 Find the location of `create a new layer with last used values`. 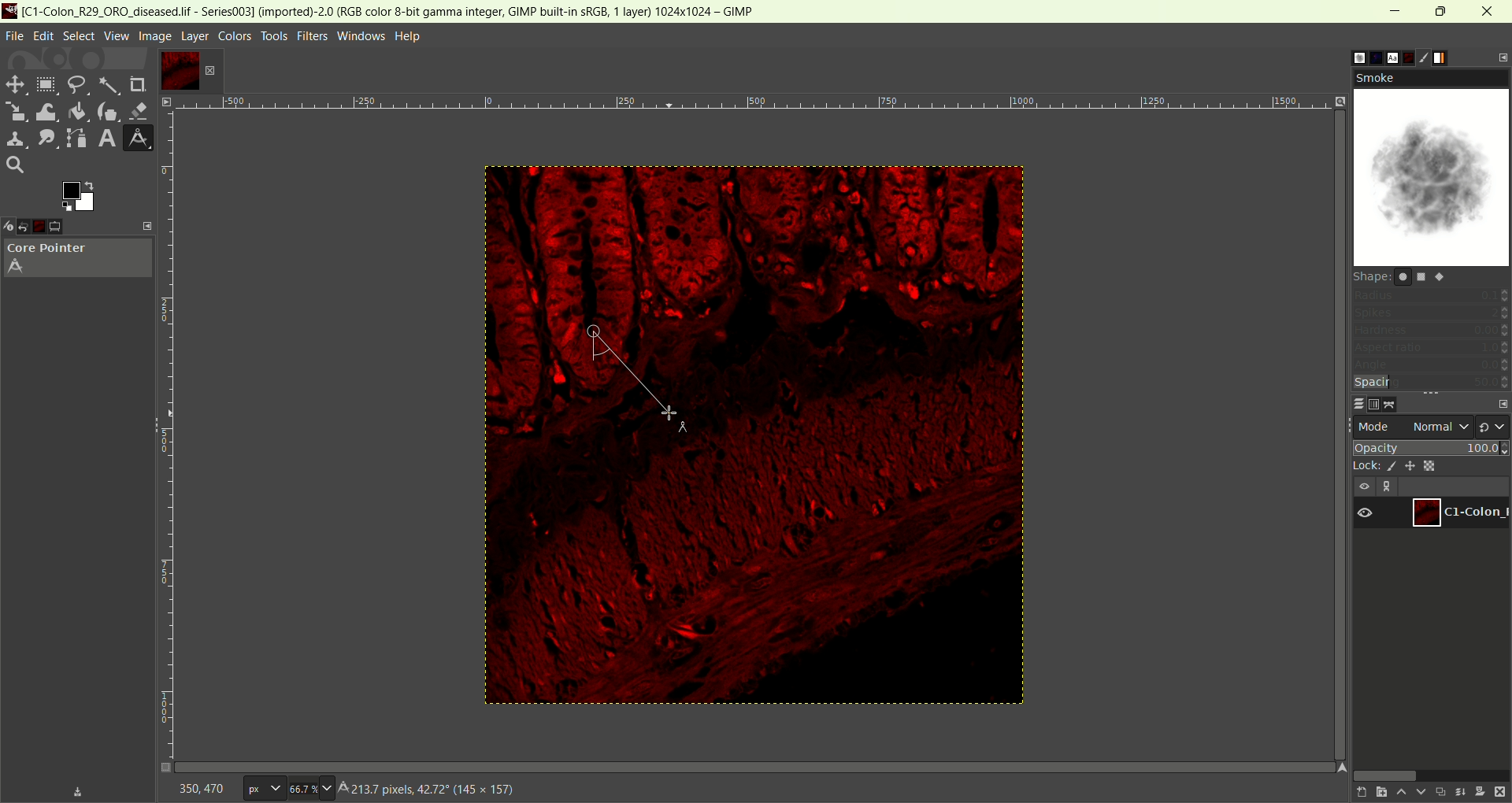

create a new layer with last used values is located at coordinates (1355, 793).